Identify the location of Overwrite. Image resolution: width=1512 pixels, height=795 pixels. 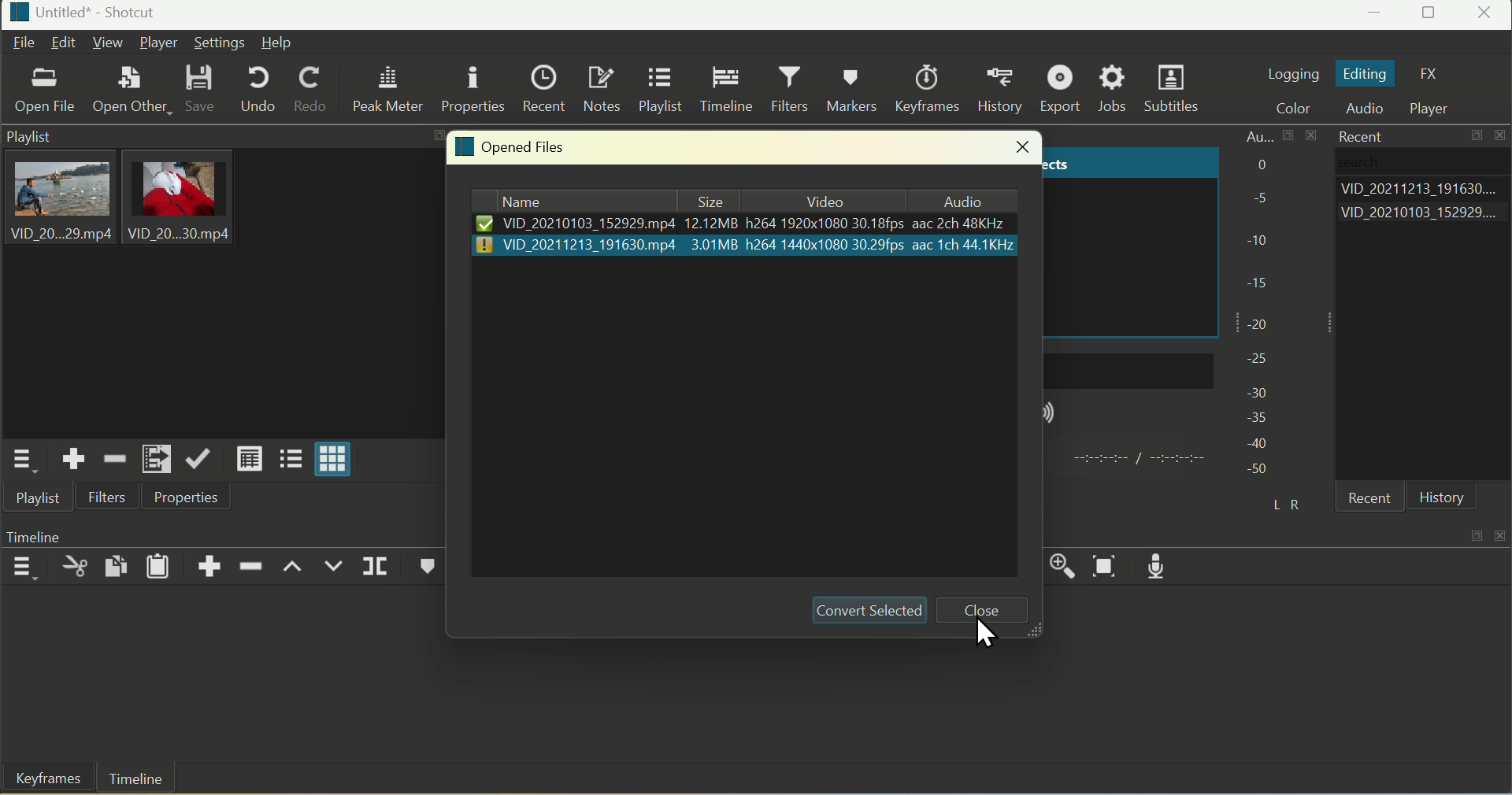
(335, 568).